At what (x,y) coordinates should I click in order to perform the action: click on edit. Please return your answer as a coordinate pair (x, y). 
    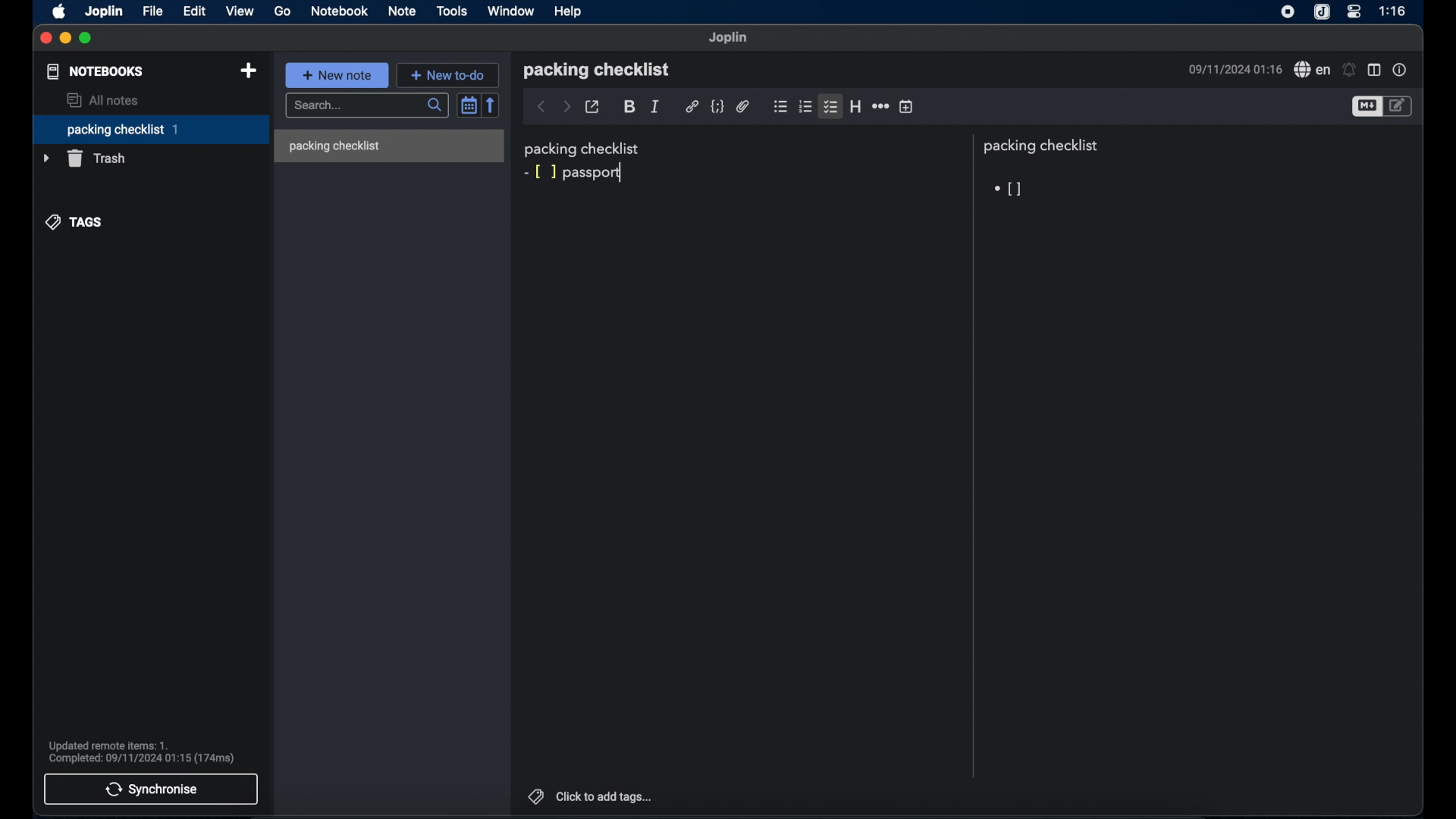
    Looking at the image, I should click on (195, 11).